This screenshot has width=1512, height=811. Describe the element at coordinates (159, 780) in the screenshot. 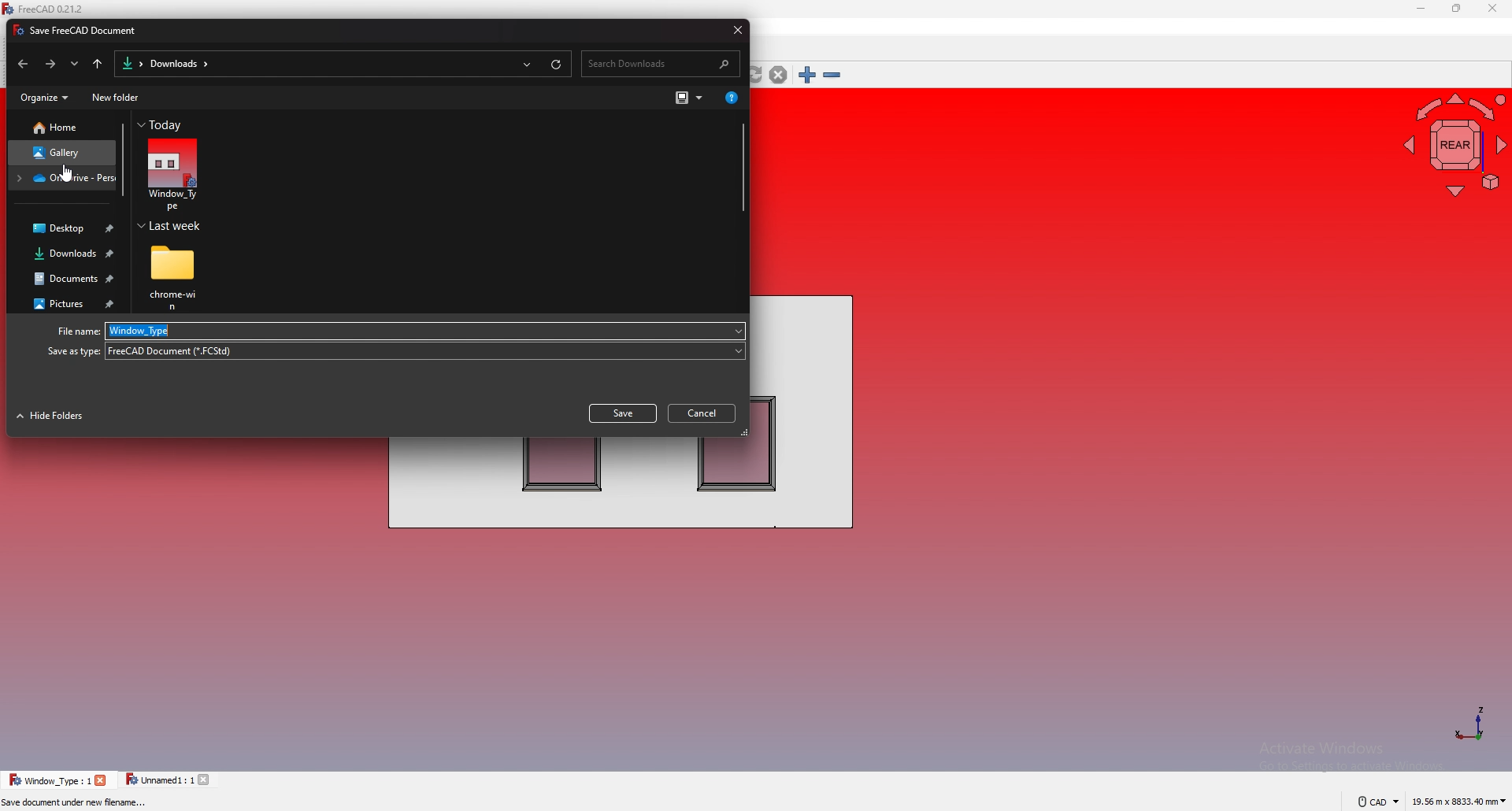

I see `Unnamed1: 1` at that location.